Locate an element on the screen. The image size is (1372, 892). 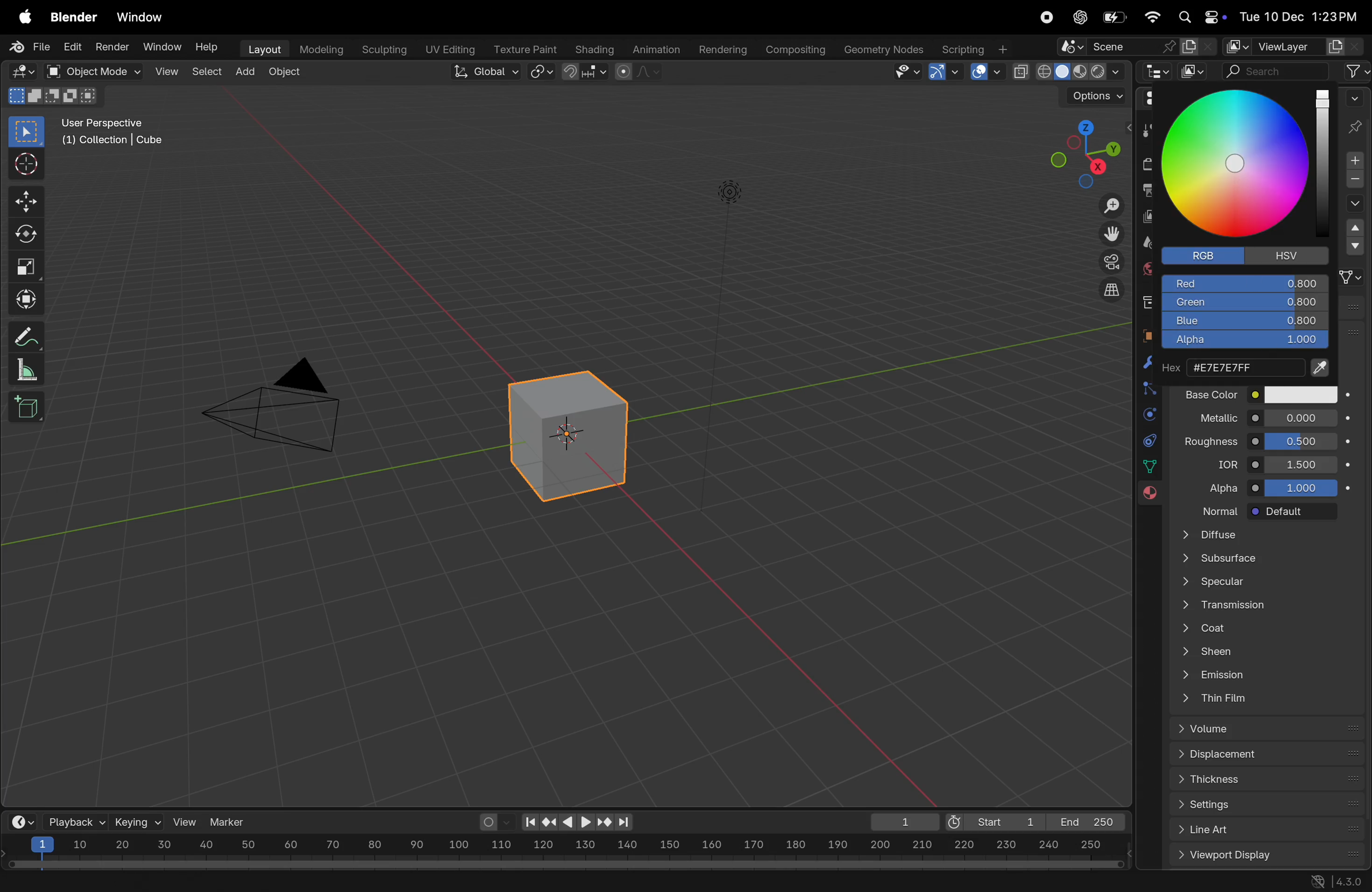
play back controls is located at coordinates (578, 823).